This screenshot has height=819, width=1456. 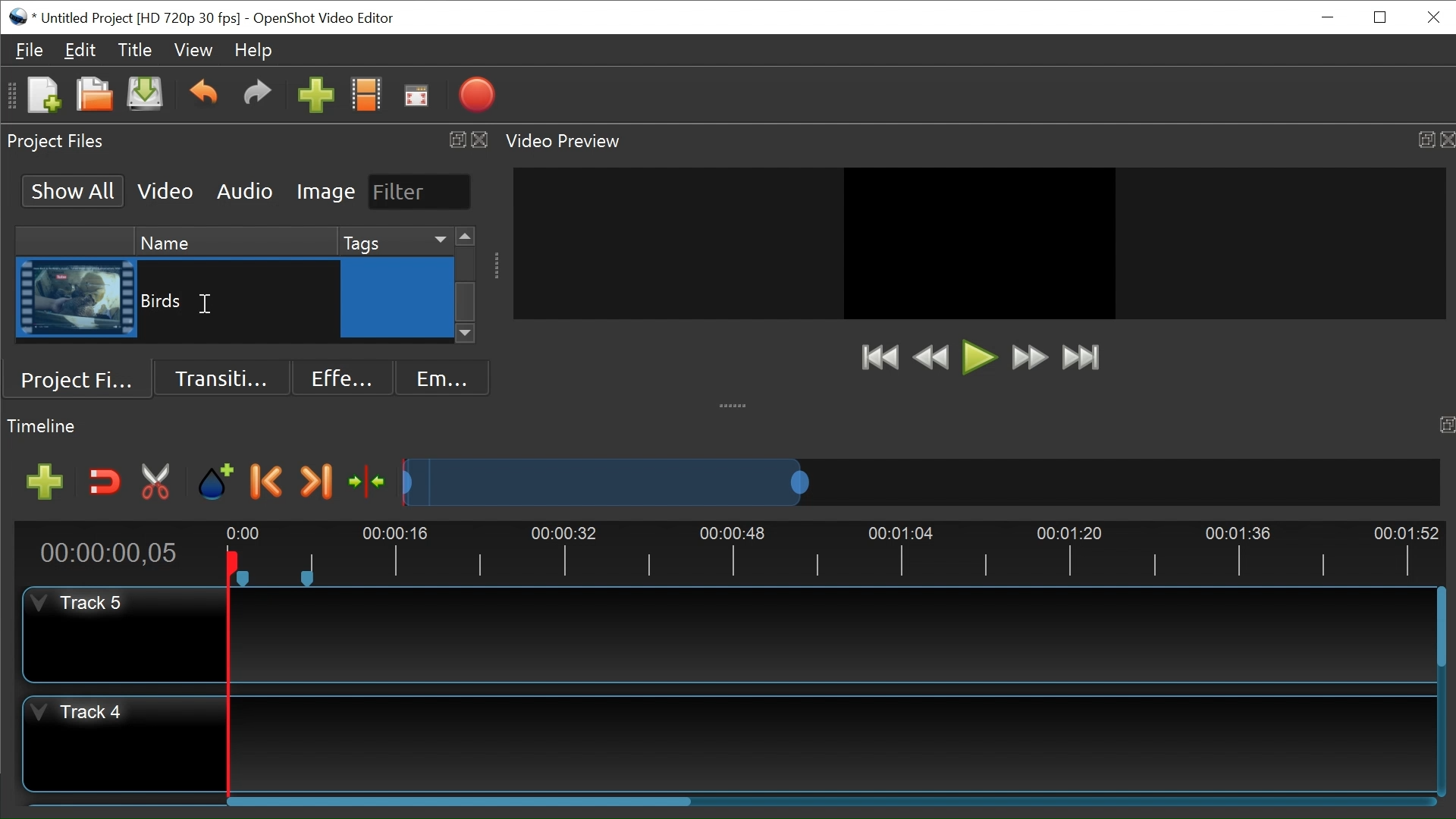 What do you see at coordinates (257, 96) in the screenshot?
I see `Redo` at bounding box center [257, 96].